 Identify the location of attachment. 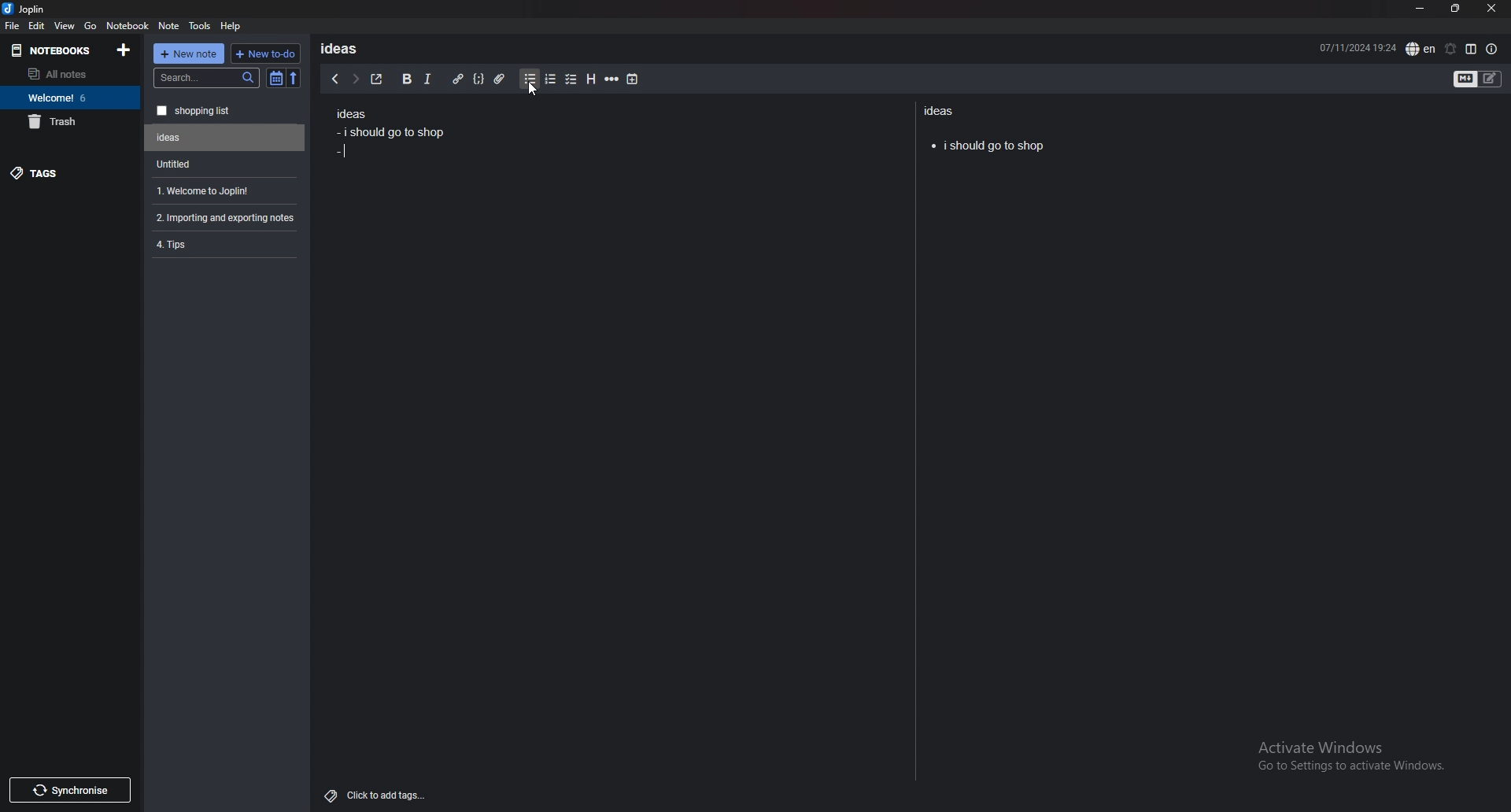
(500, 79).